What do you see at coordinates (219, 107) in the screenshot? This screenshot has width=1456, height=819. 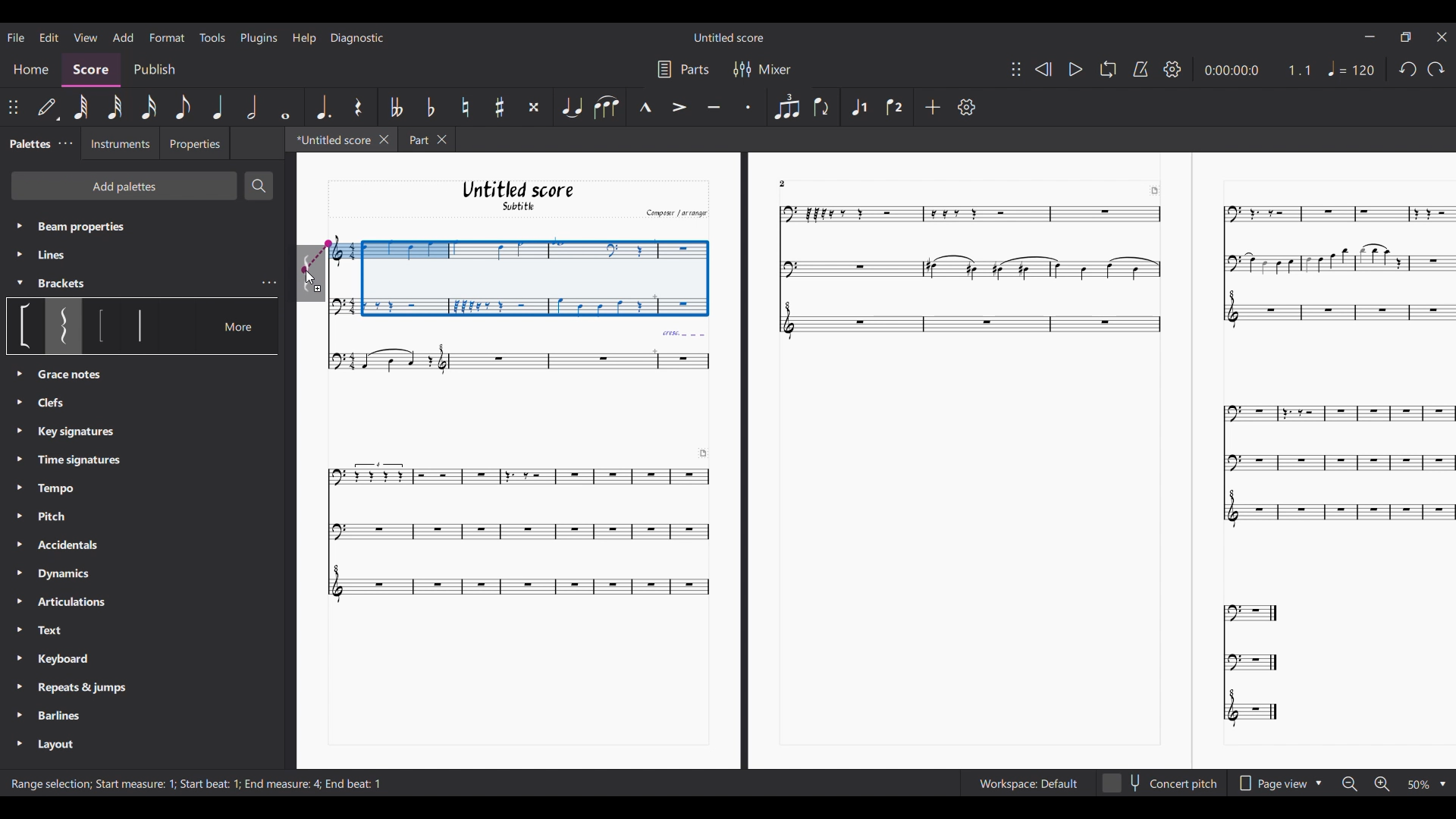 I see `Quarter note` at bounding box center [219, 107].